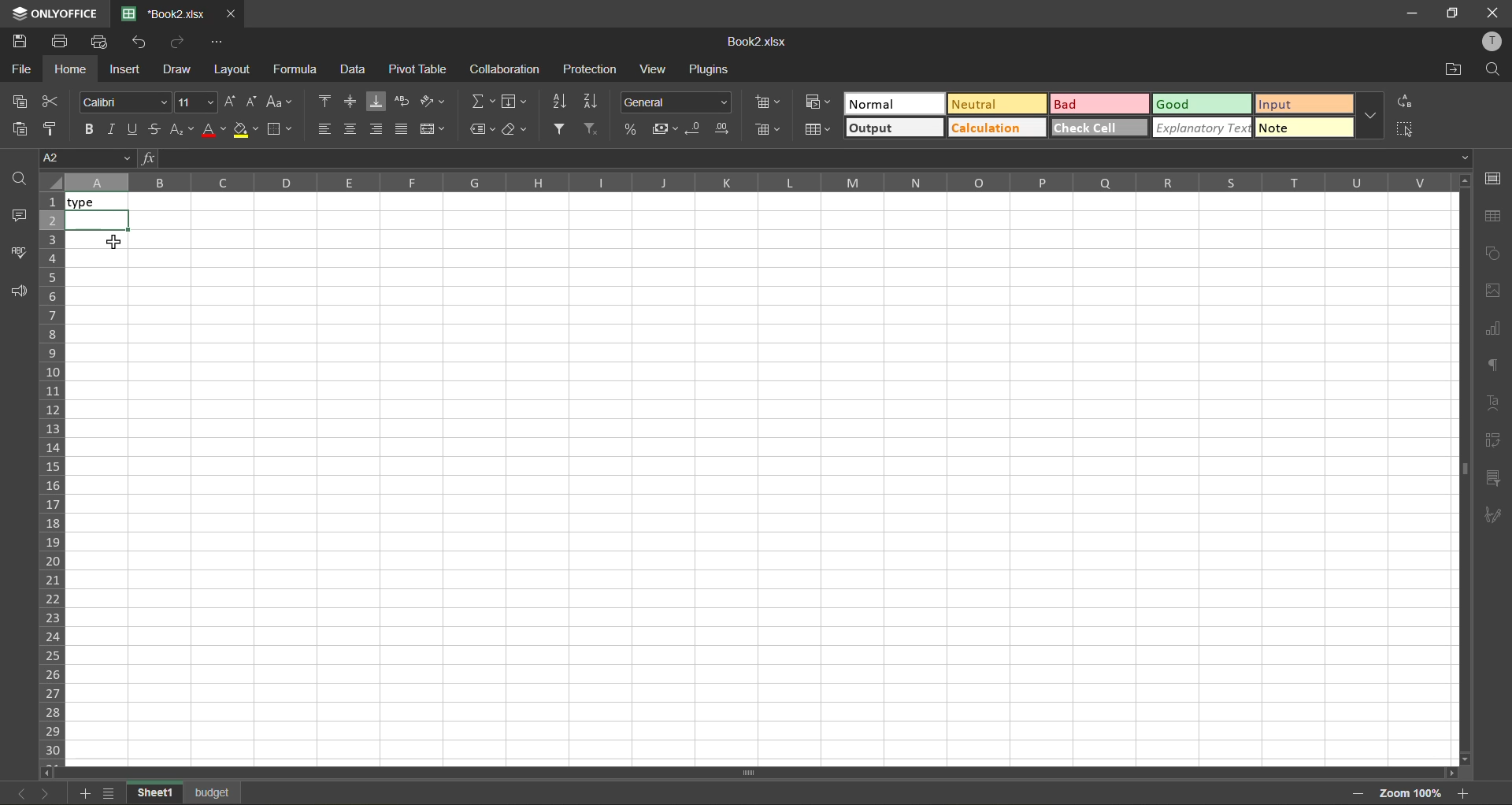 The height and width of the screenshot is (805, 1512). I want to click on data, so click(356, 72).